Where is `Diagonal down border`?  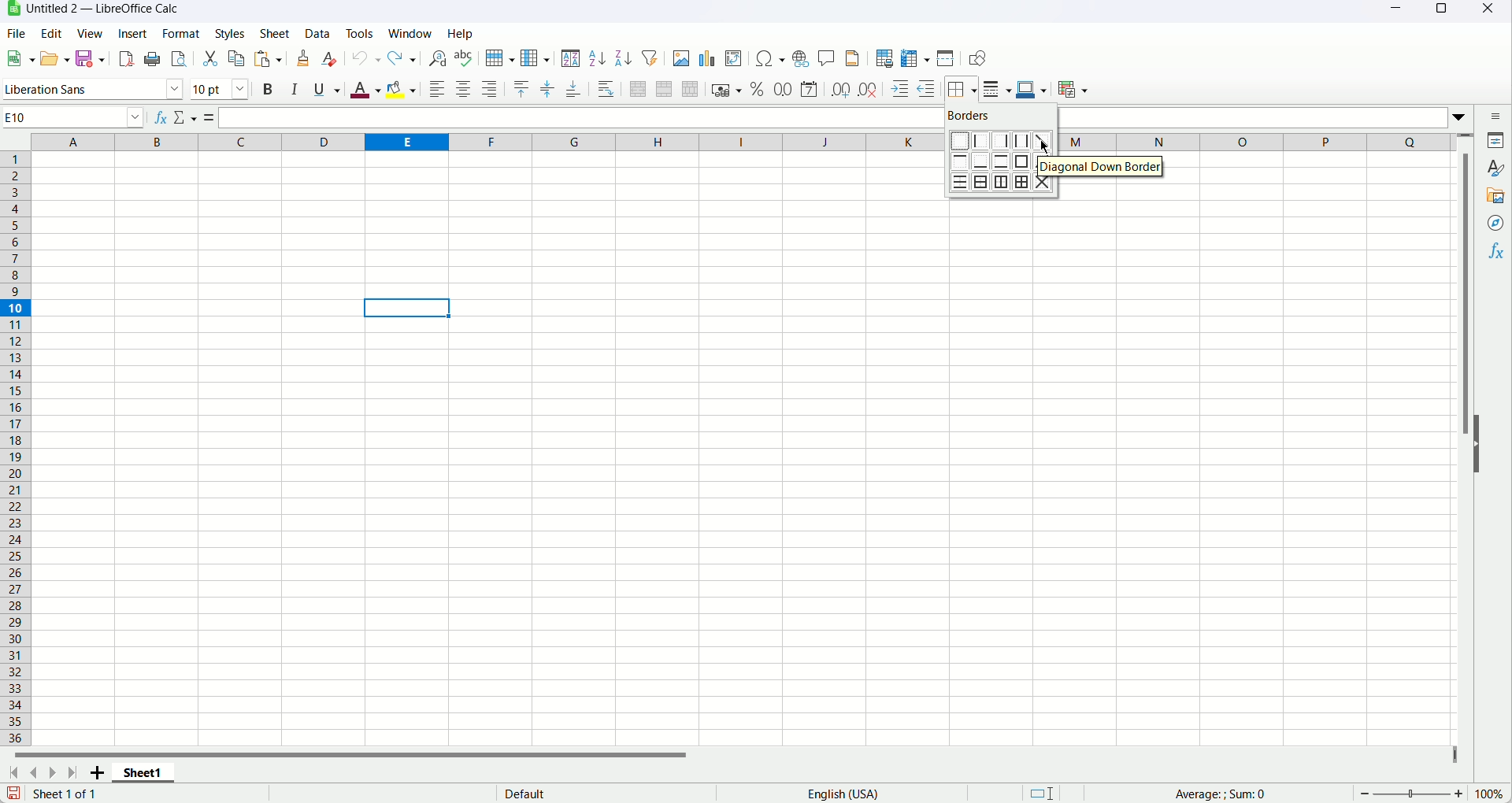
Diagonal down border is located at coordinates (1102, 165).